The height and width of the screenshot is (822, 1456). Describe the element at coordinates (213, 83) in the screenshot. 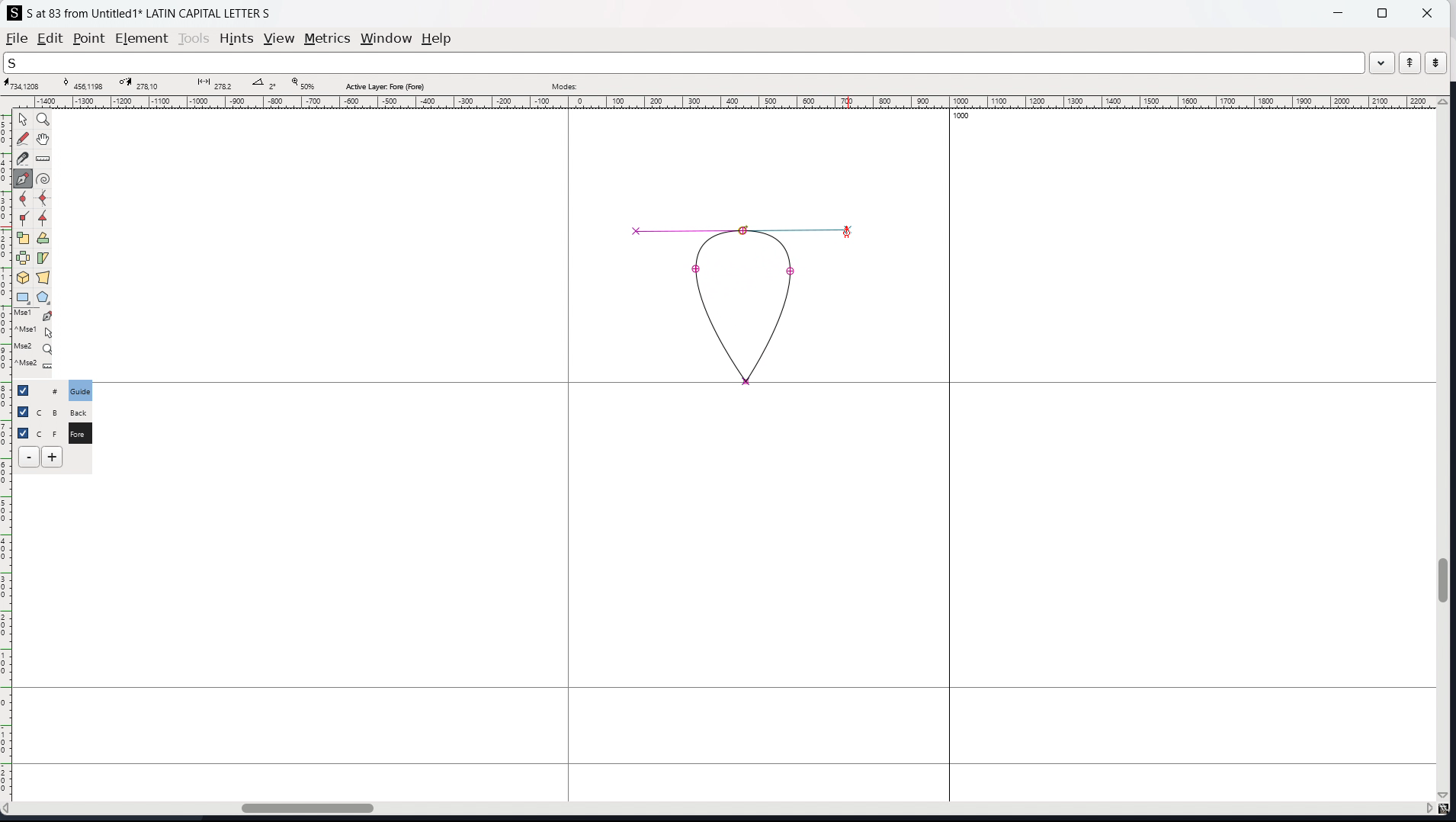

I see `distance between points` at that location.